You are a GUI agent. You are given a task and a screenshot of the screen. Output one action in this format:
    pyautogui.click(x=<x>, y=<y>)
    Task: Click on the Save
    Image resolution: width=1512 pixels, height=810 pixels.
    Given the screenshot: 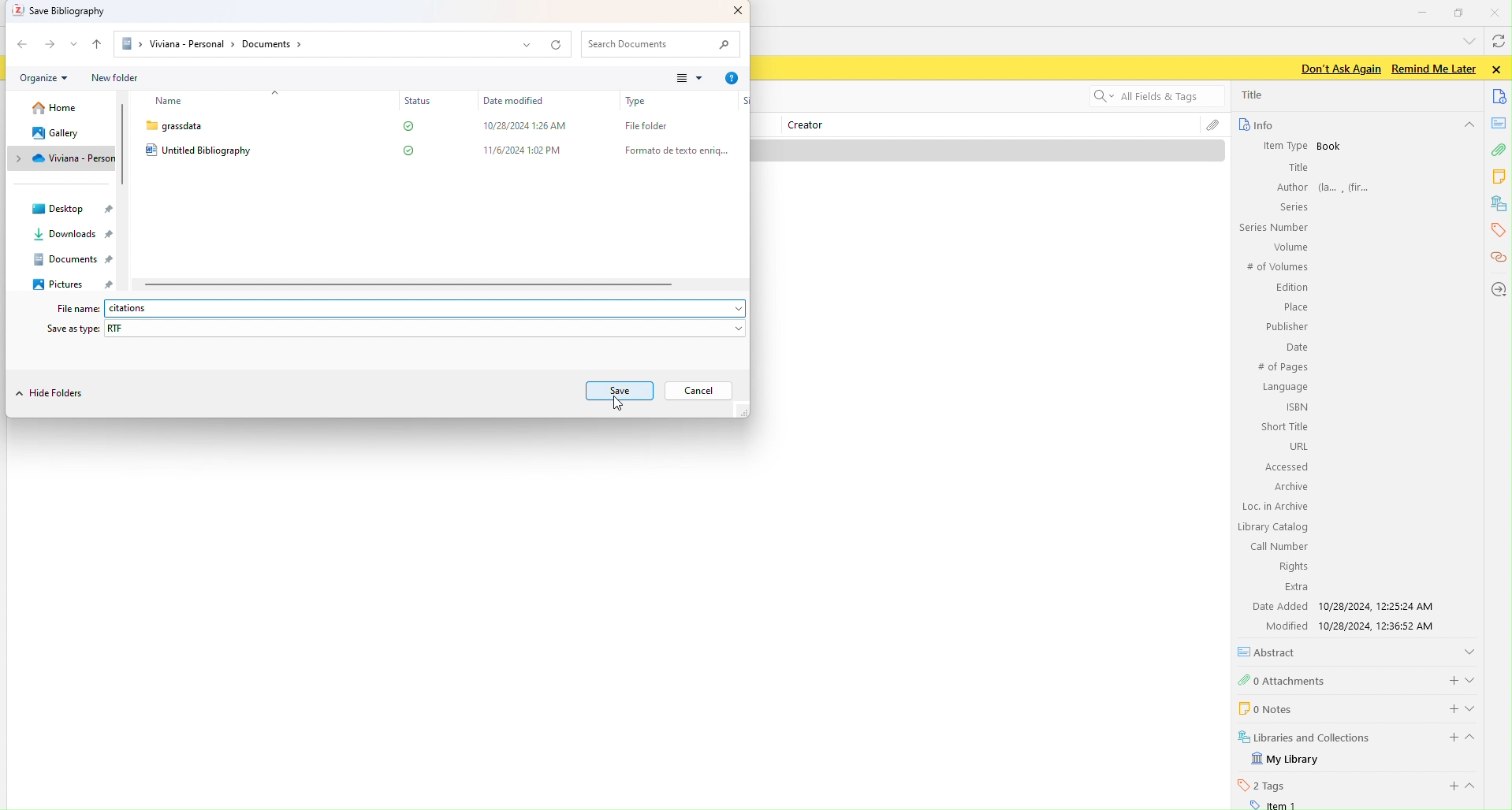 What is the action you would take?
    pyautogui.click(x=622, y=391)
    